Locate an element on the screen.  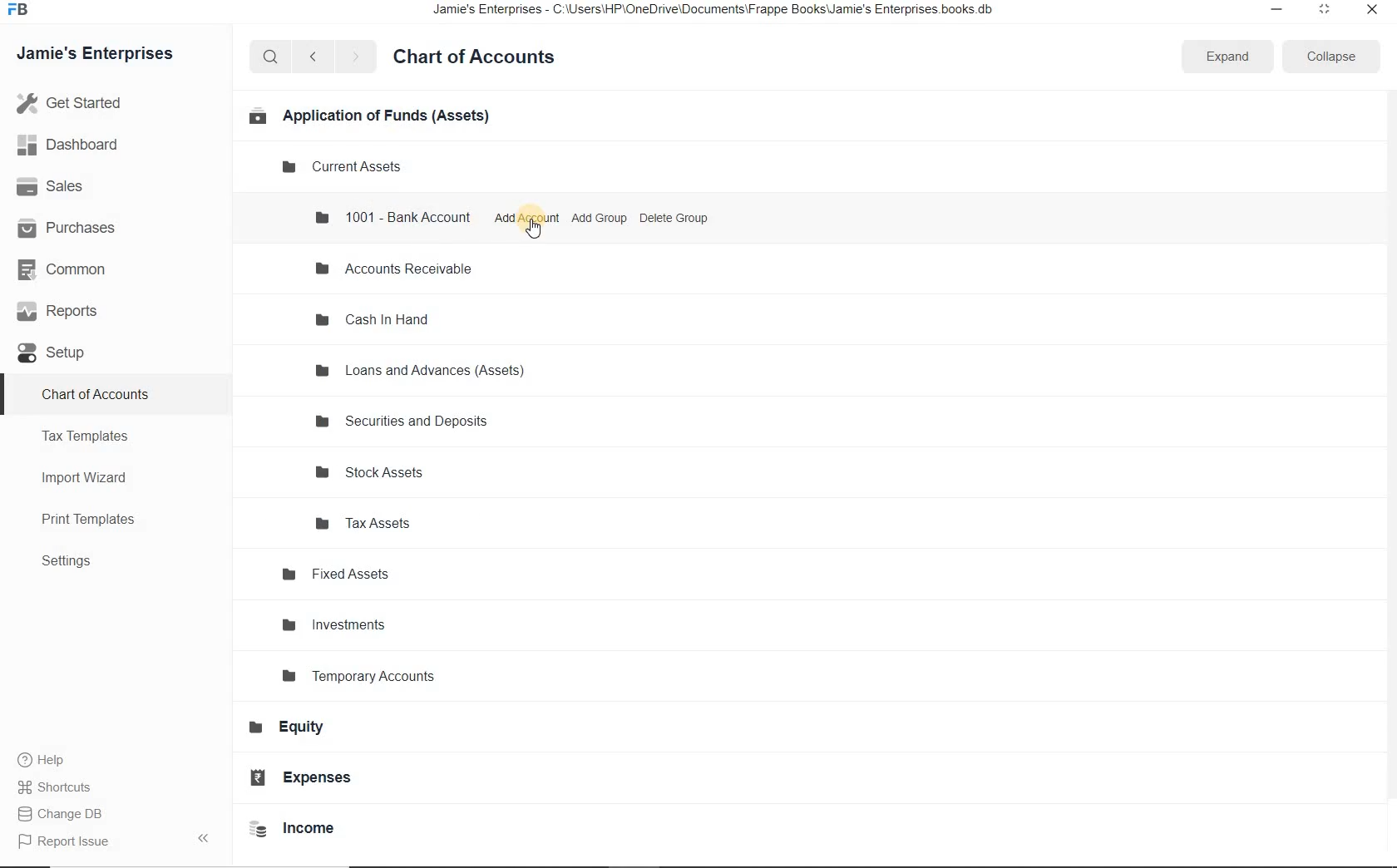
Report Issue is located at coordinates (68, 842).